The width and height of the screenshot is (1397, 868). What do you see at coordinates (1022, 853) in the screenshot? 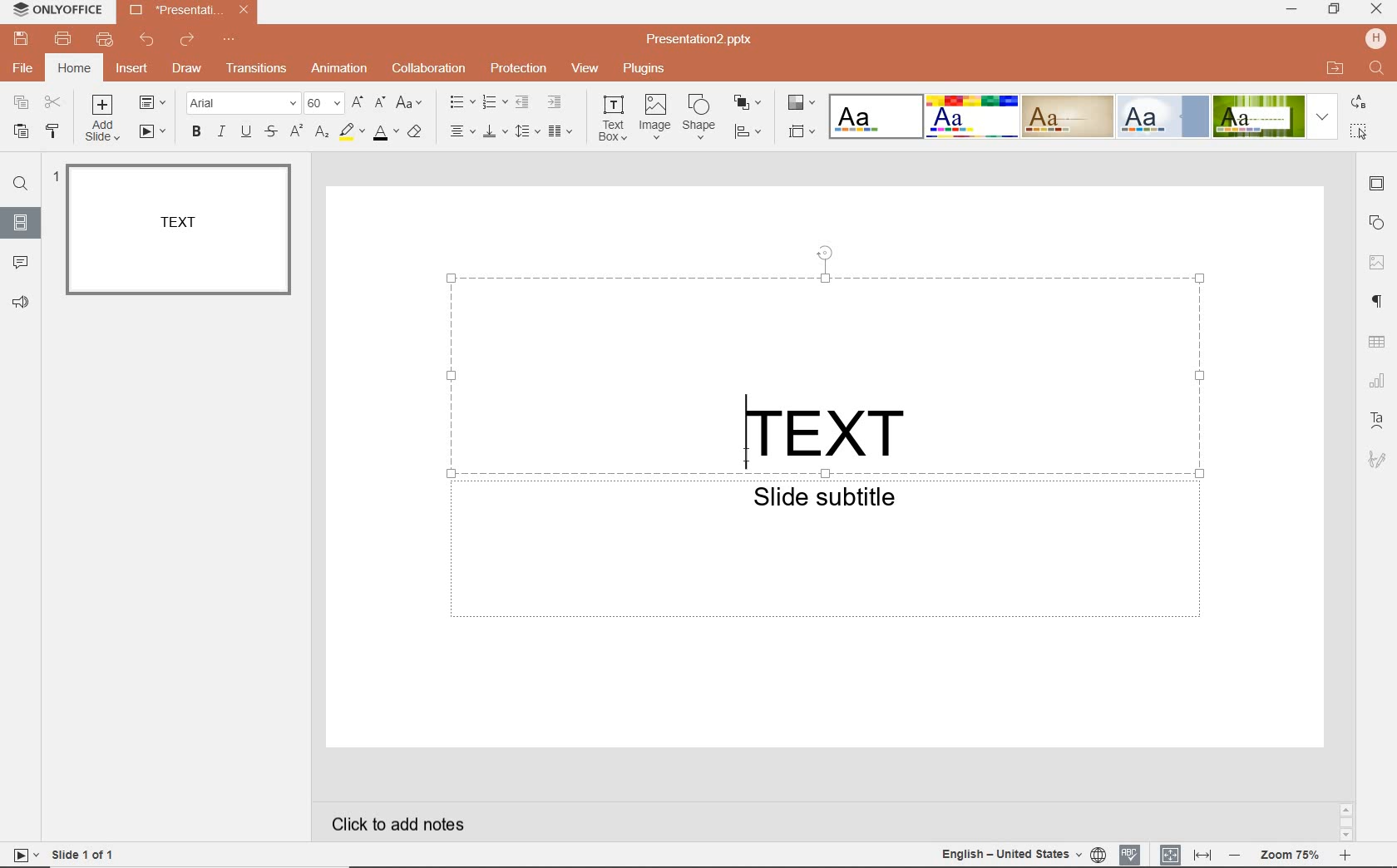
I see `TEXT LANGUAGE` at bounding box center [1022, 853].